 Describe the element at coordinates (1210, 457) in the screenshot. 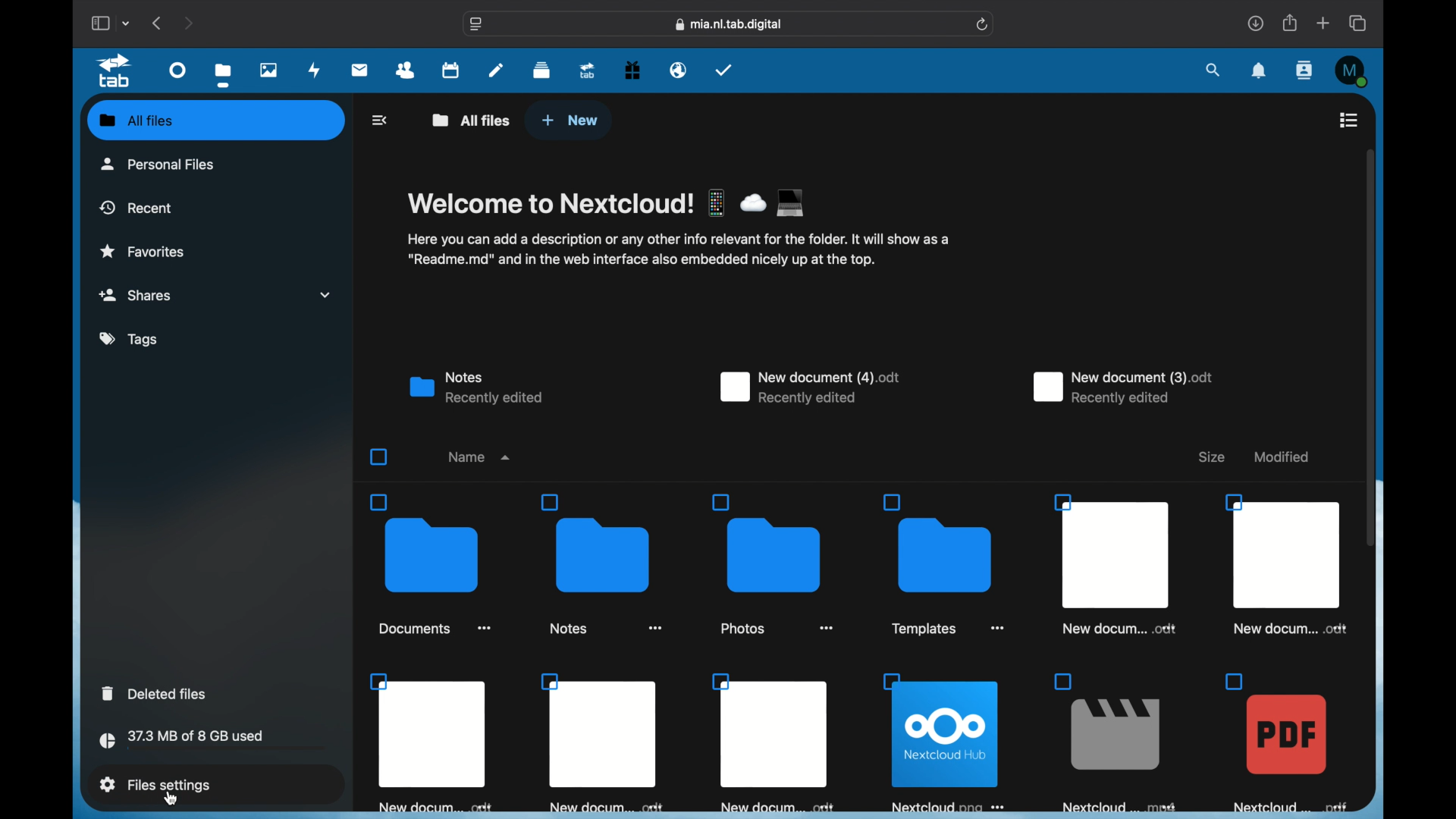

I see `size` at that location.